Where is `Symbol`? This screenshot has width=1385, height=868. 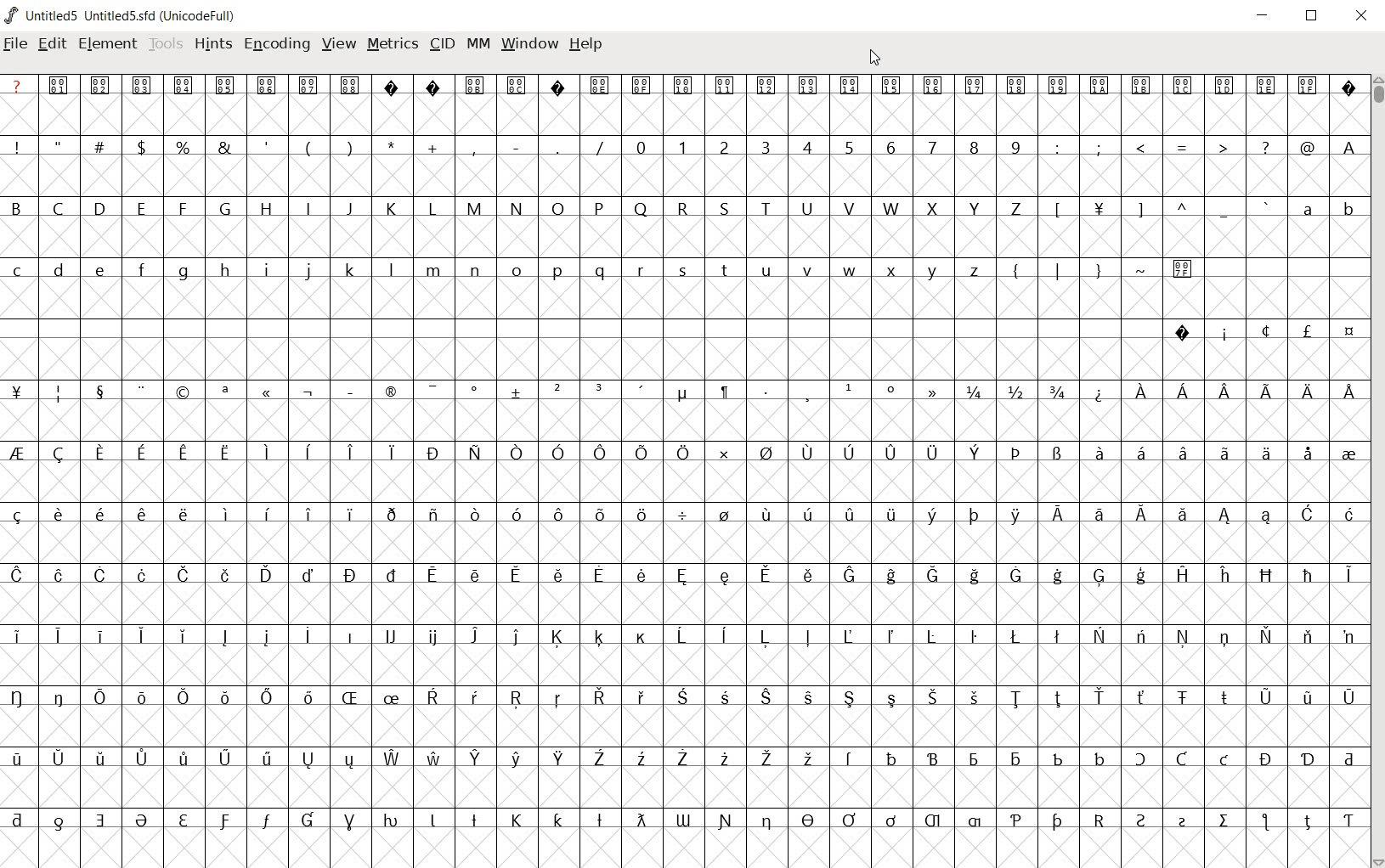
Symbol is located at coordinates (308, 392).